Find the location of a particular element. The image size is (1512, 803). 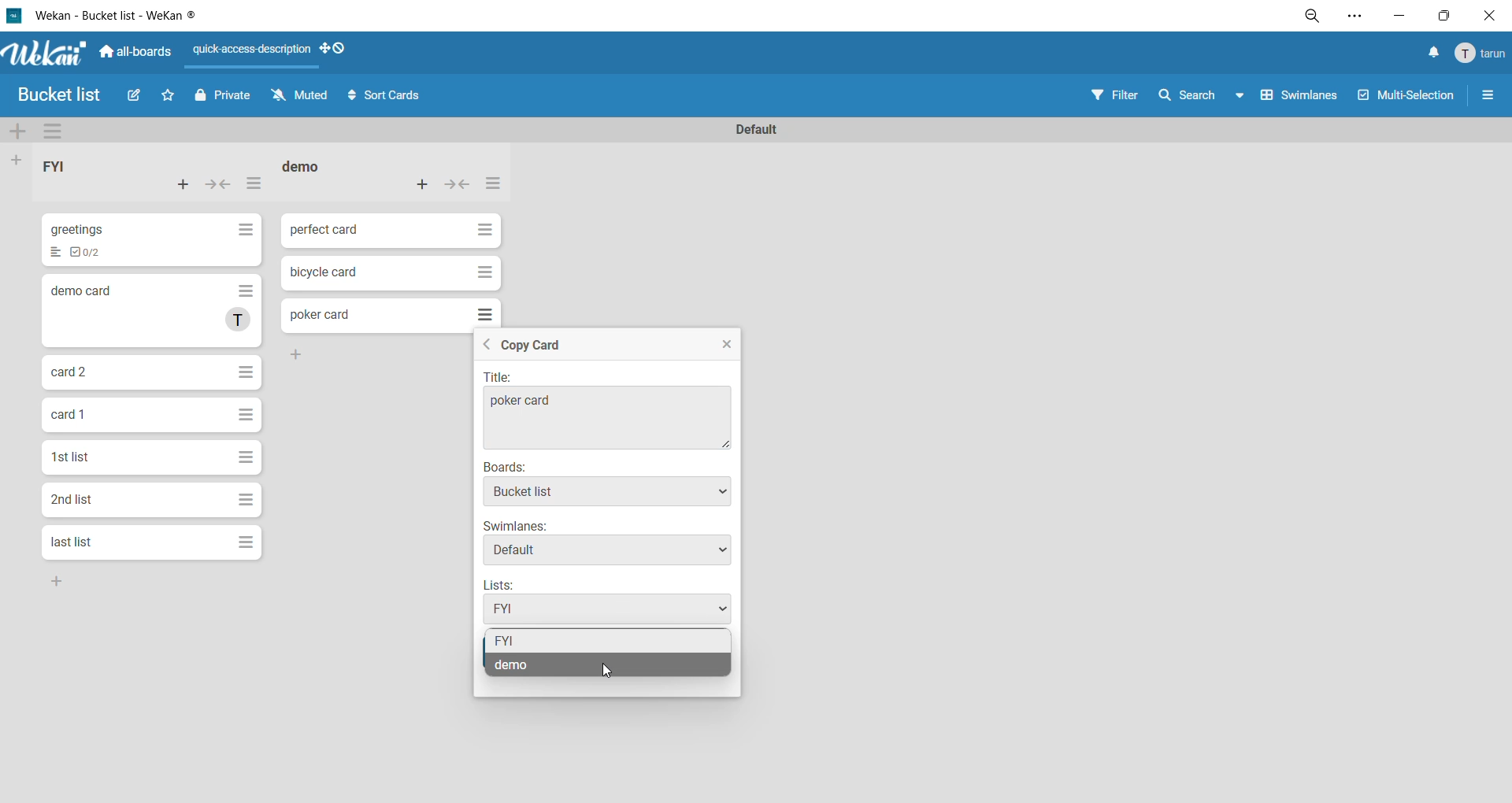

demo card is located at coordinates (80, 291).